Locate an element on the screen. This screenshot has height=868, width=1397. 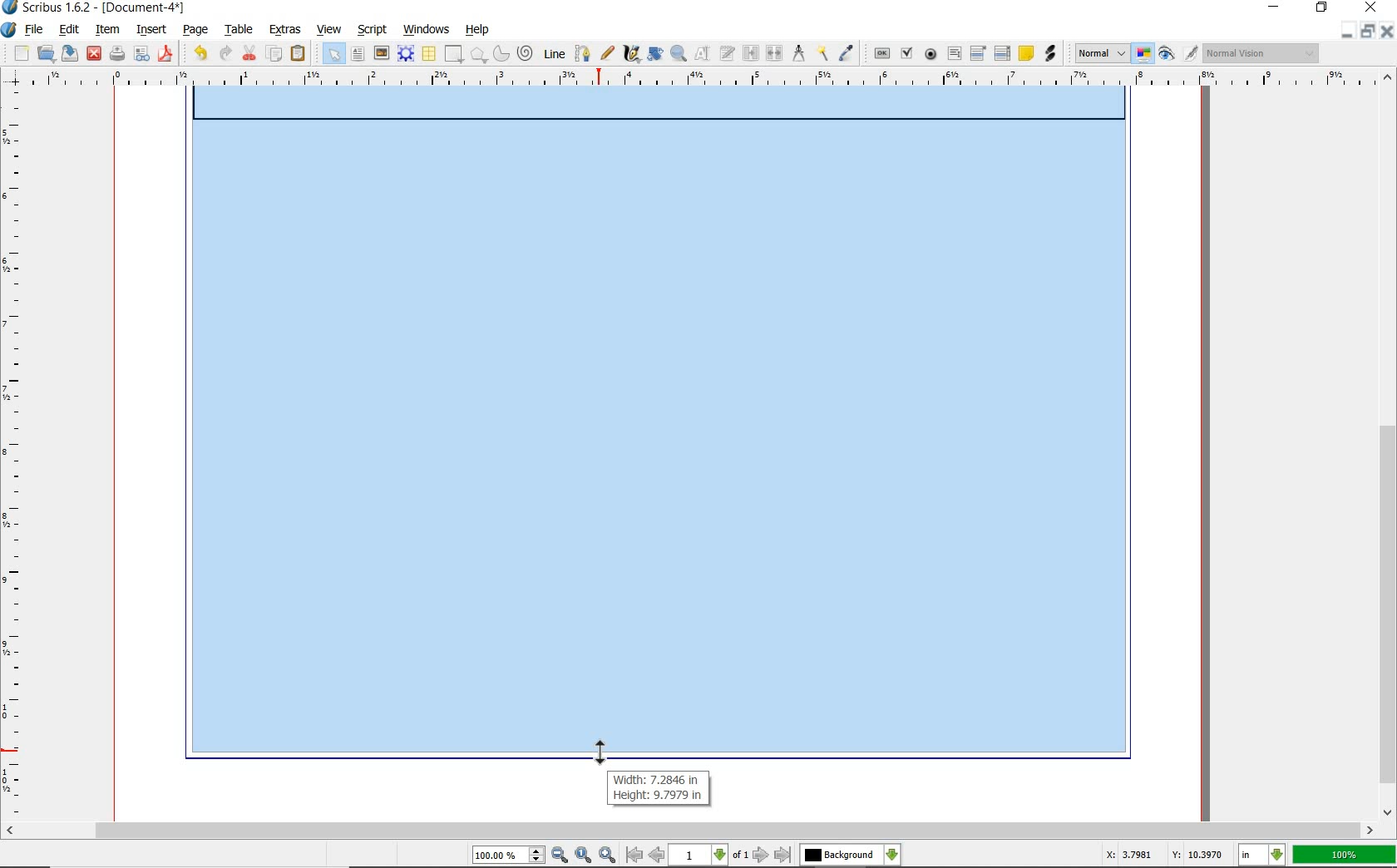
shape is located at coordinates (454, 55).